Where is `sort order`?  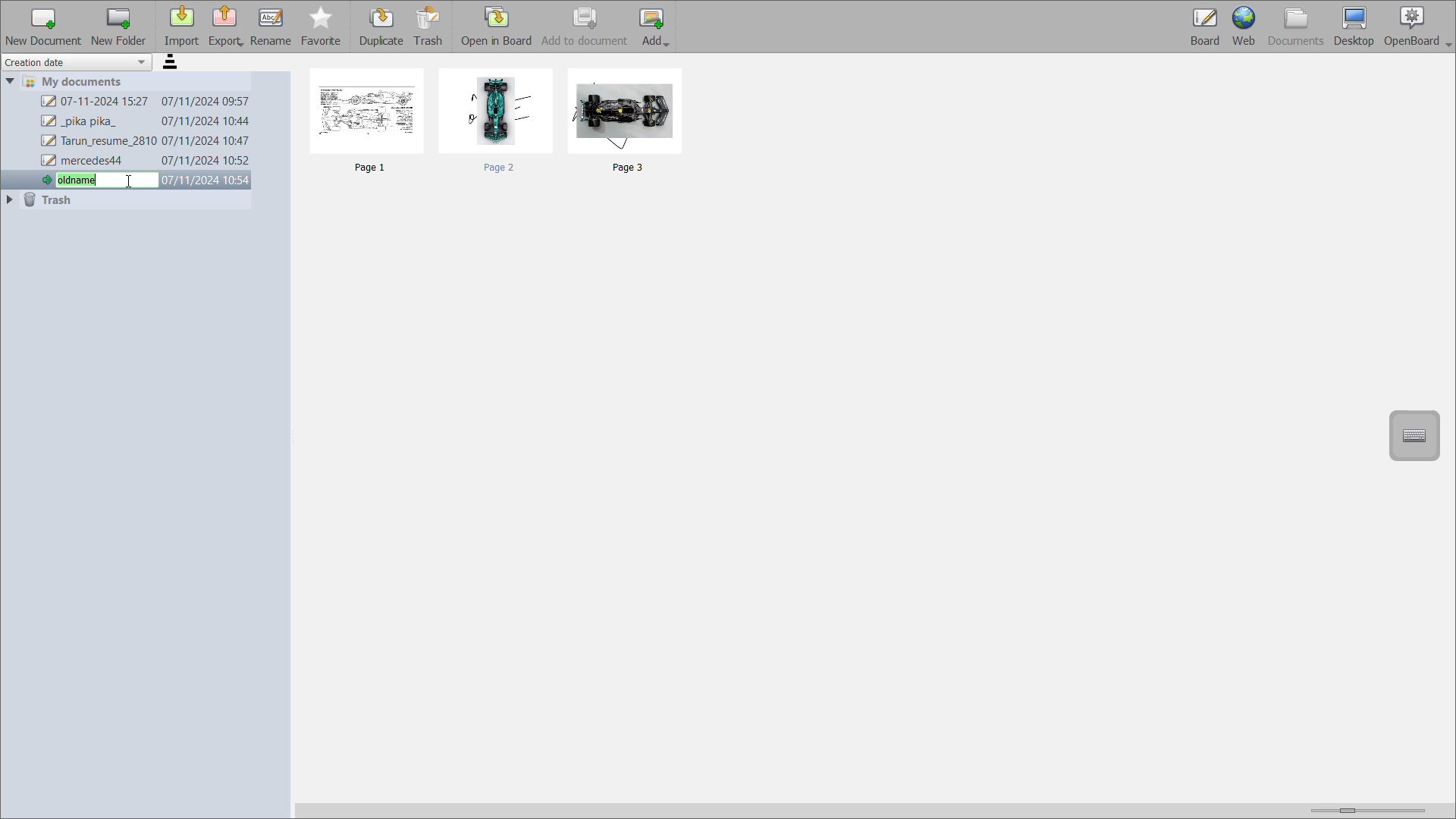 sort order is located at coordinates (174, 64).